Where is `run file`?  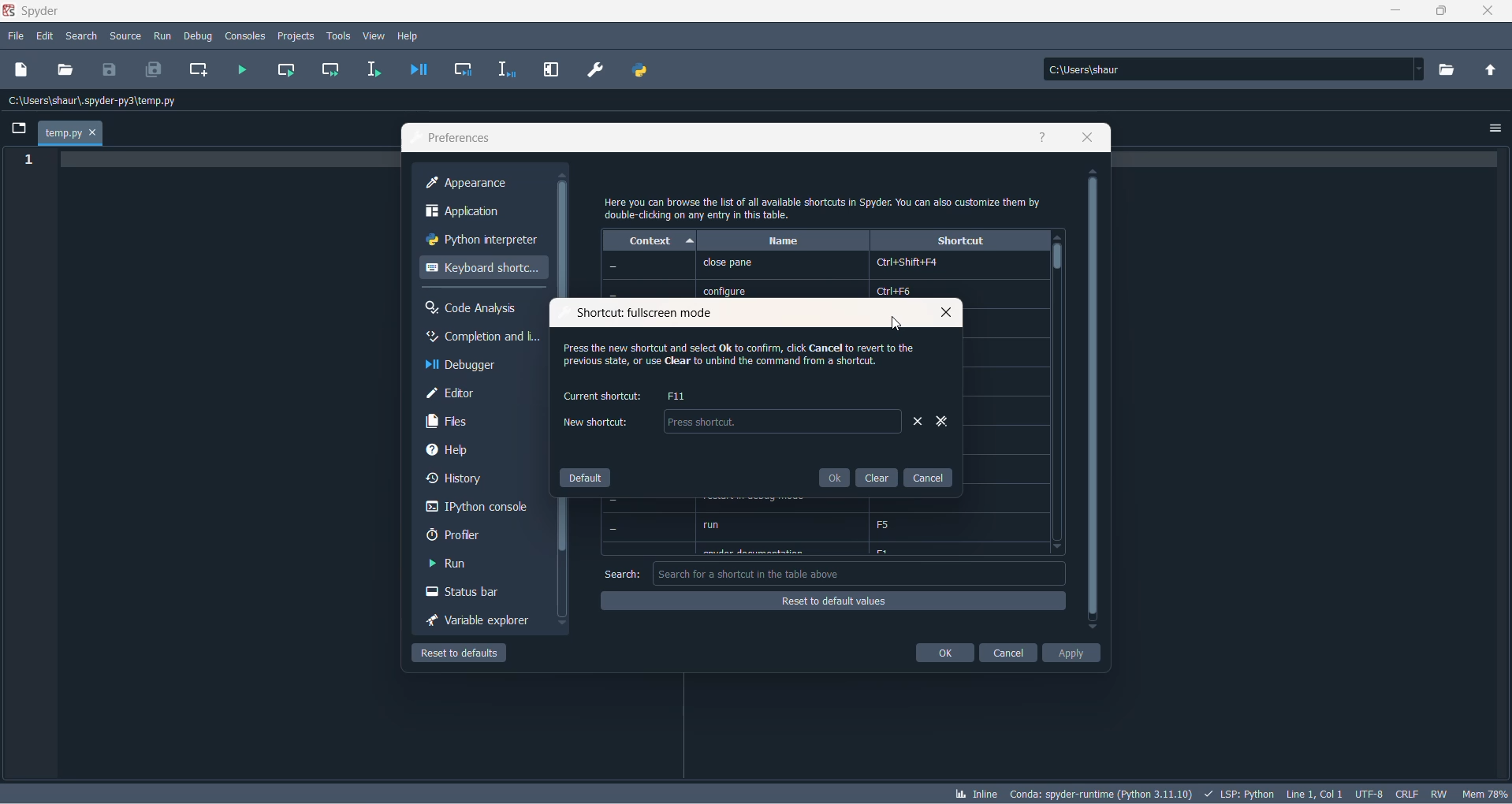
run file is located at coordinates (243, 70).